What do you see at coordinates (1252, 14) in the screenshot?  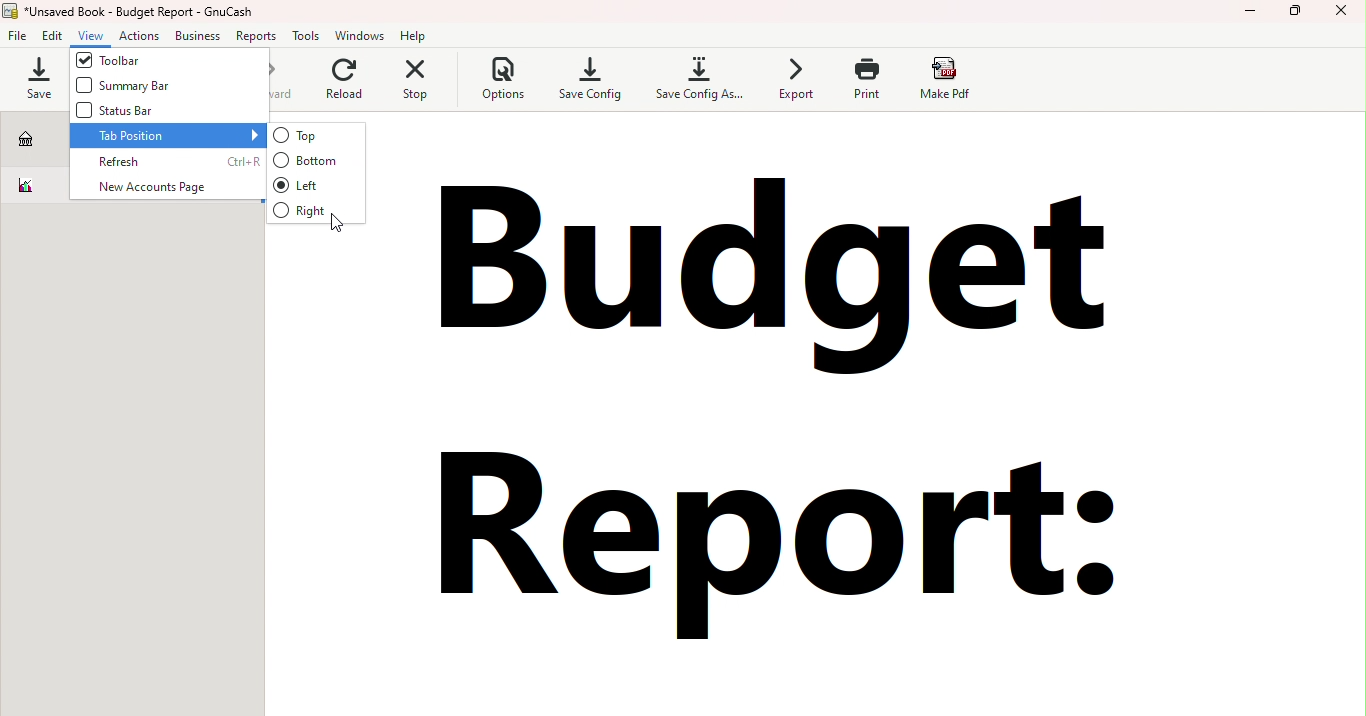 I see `Minimize` at bounding box center [1252, 14].